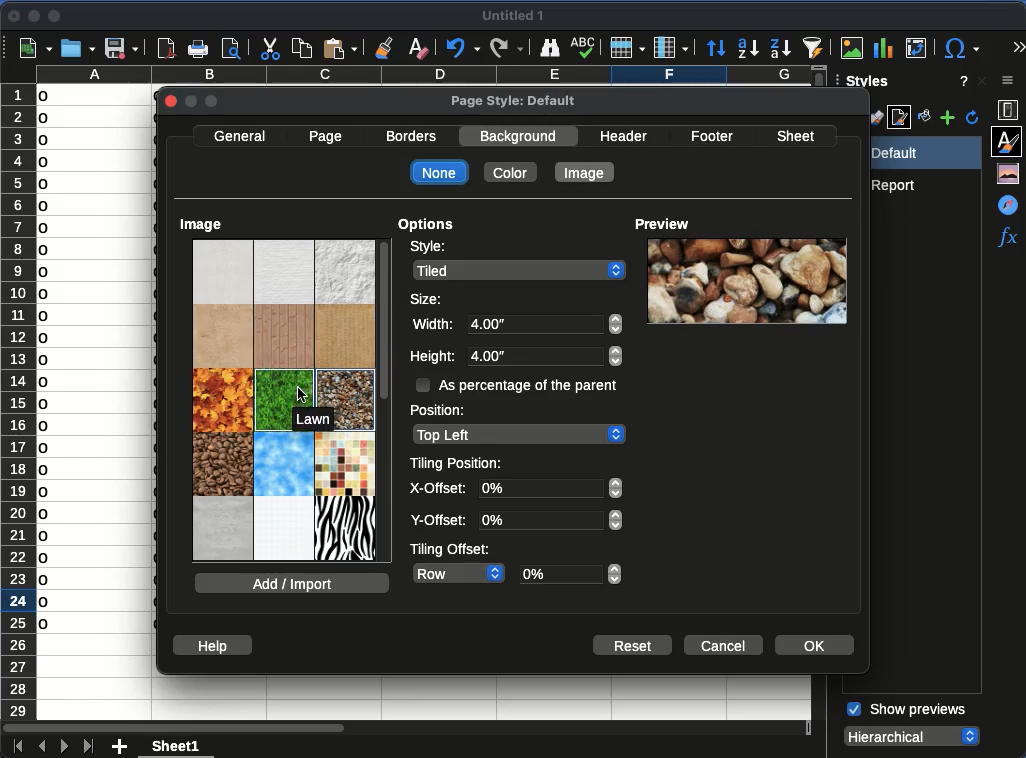  What do you see at coordinates (547, 339) in the screenshot?
I see `4.00` at bounding box center [547, 339].